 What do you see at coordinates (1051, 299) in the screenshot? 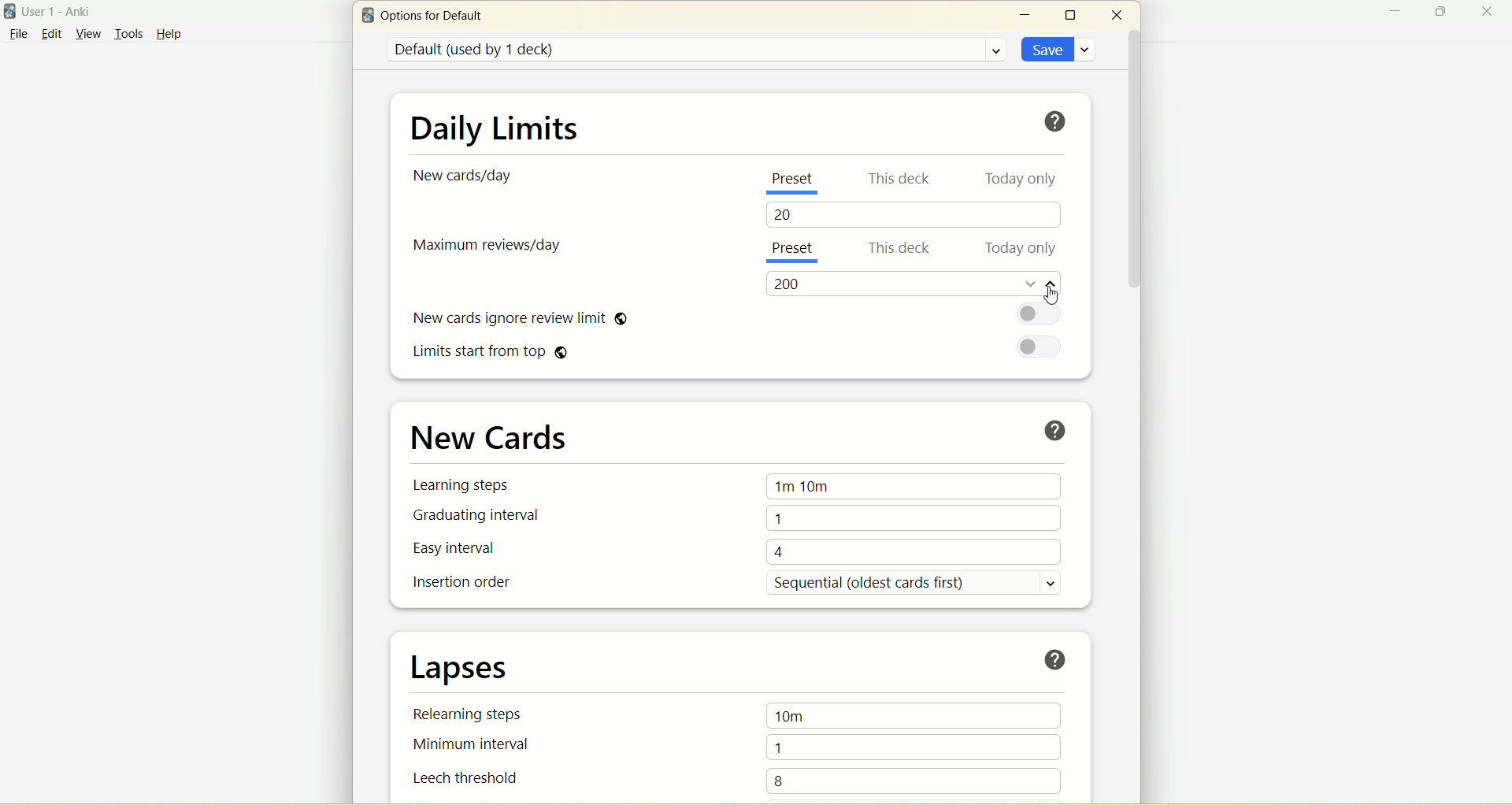
I see `cursor` at bounding box center [1051, 299].